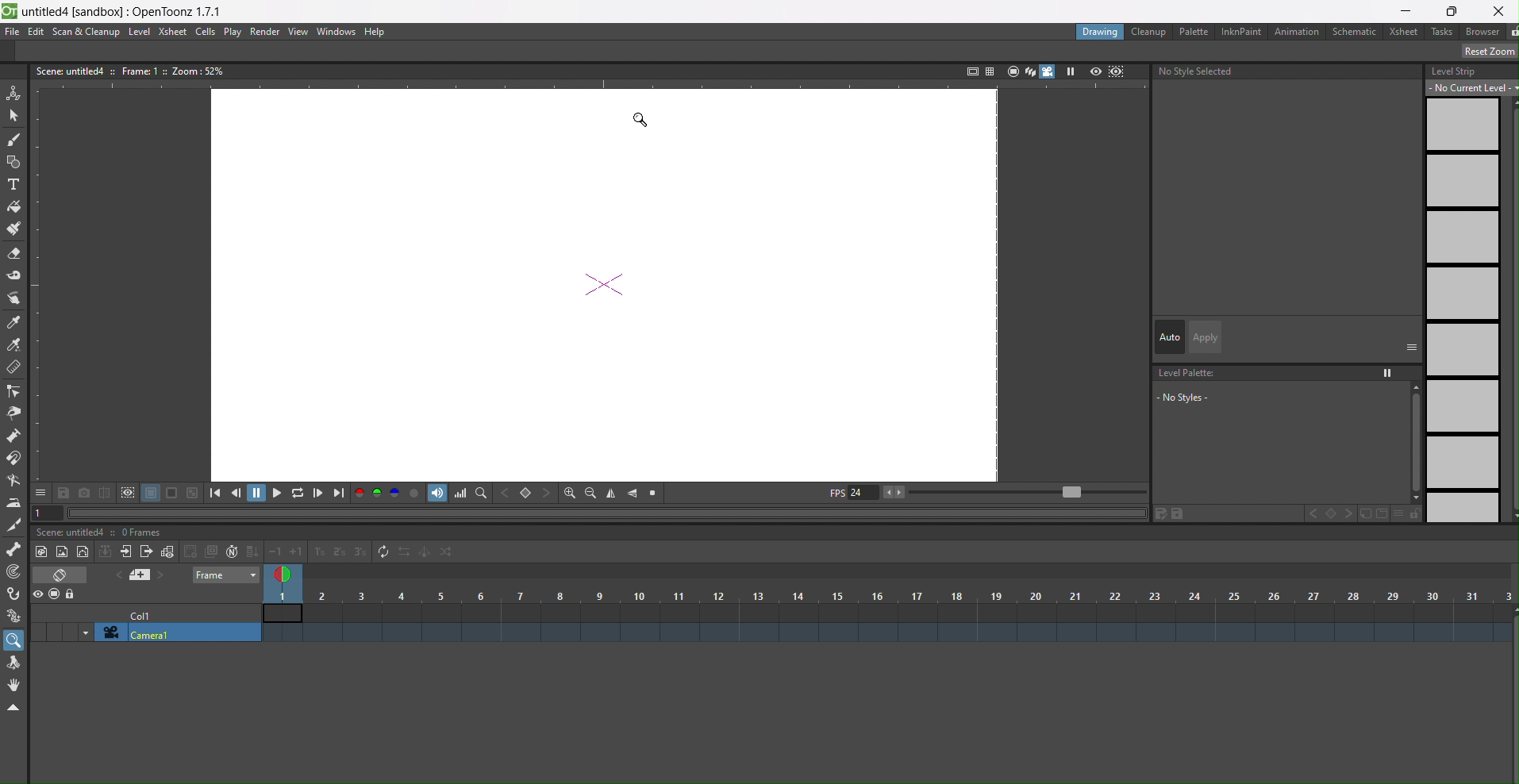 Image resolution: width=1519 pixels, height=784 pixels. I want to click on xsheet, so click(173, 32).